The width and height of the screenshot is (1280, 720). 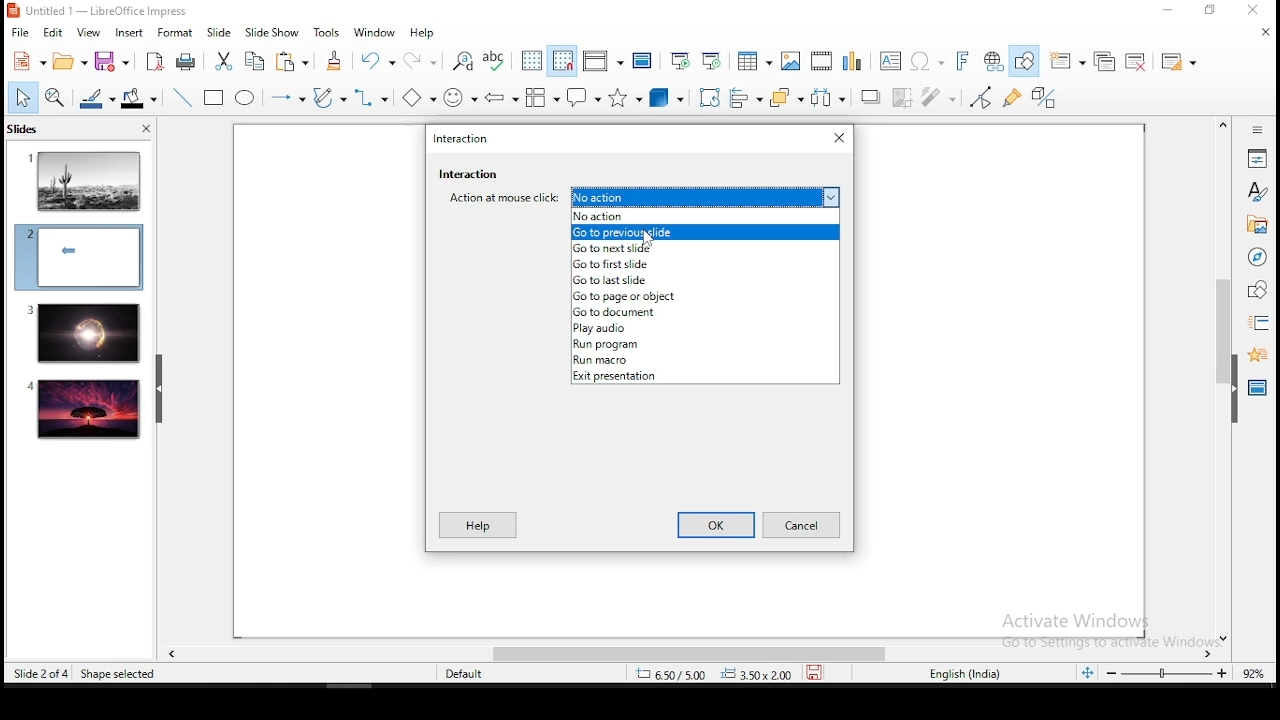 What do you see at coordinates (673, 676) in the screenshot?
I see `8.60/-0.26` at bounding box center [673, 676].